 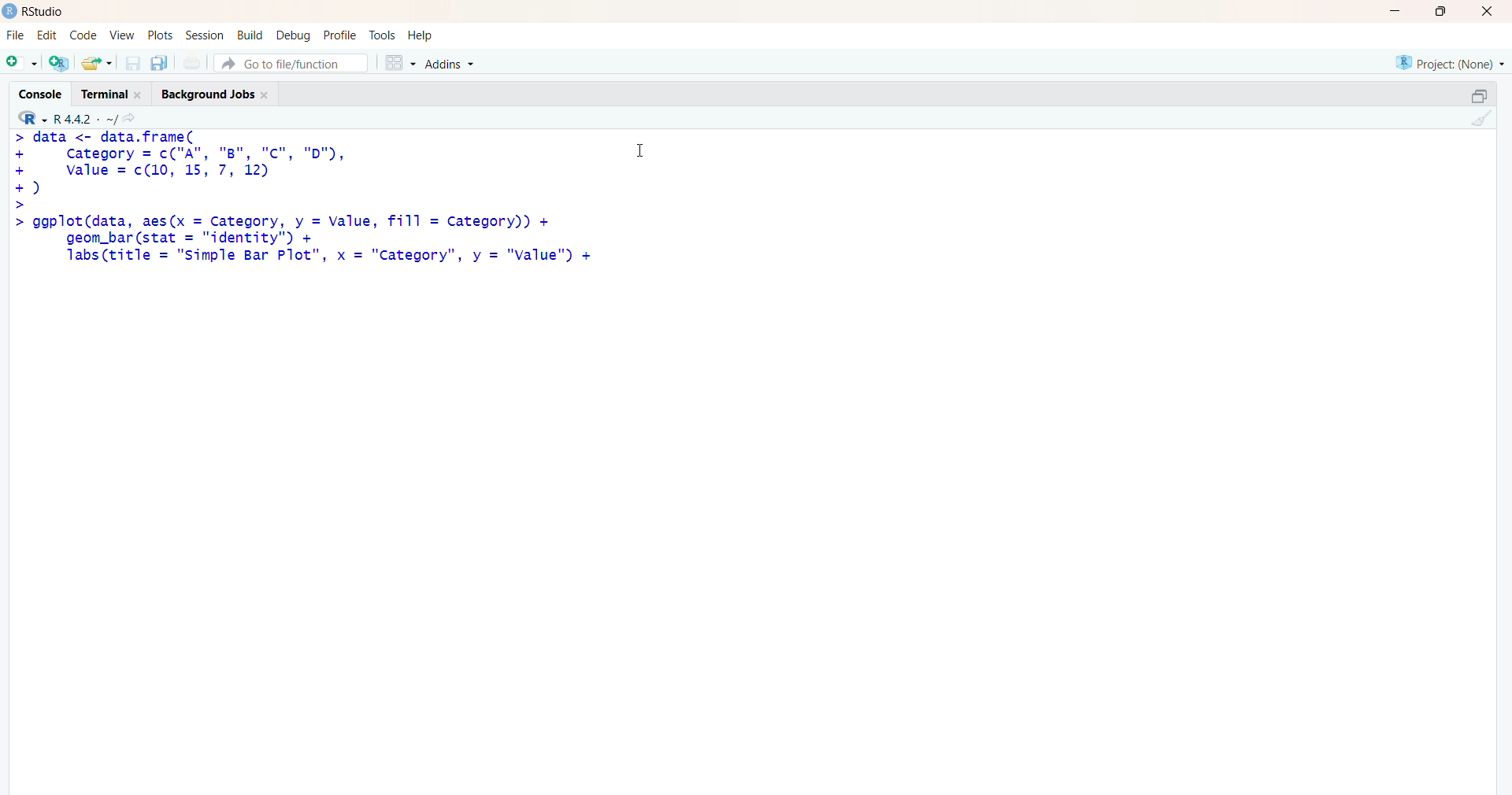 I want to click on Rstudio, so click(x=48, y=12).